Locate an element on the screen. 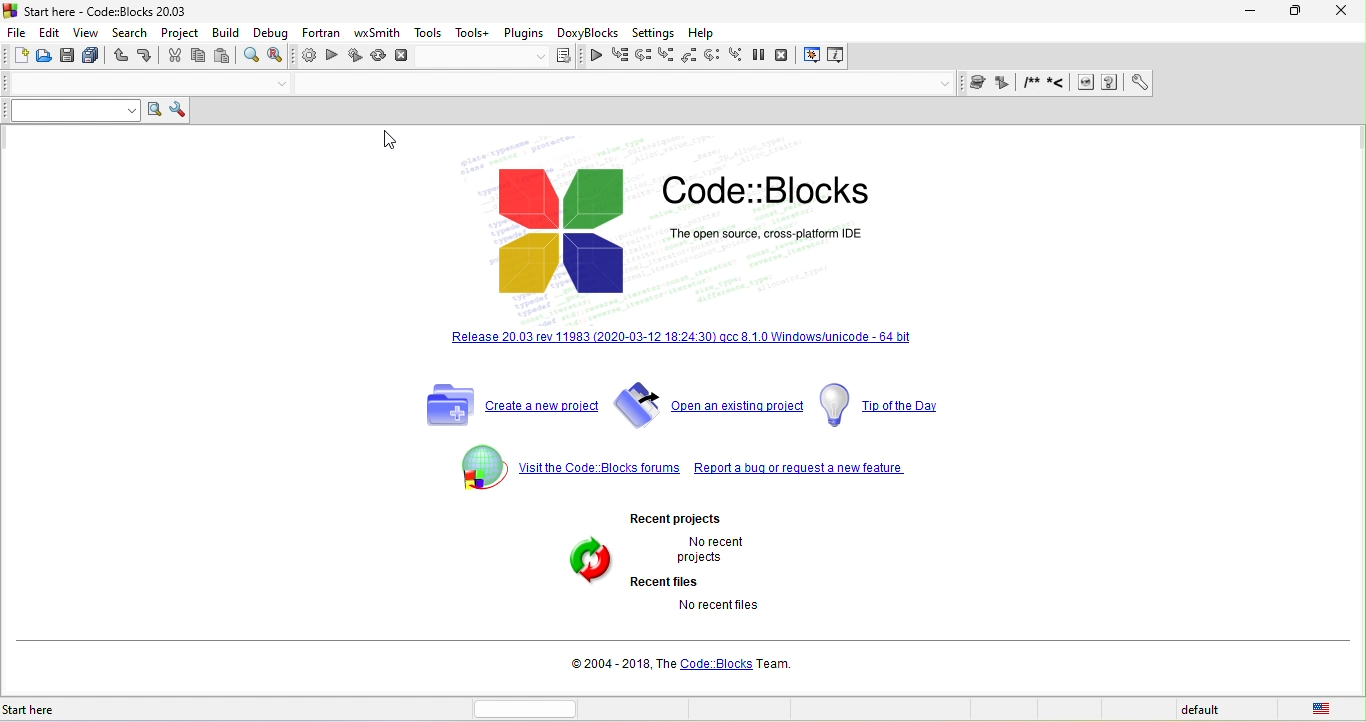  run is located at coordinates (332, 57).